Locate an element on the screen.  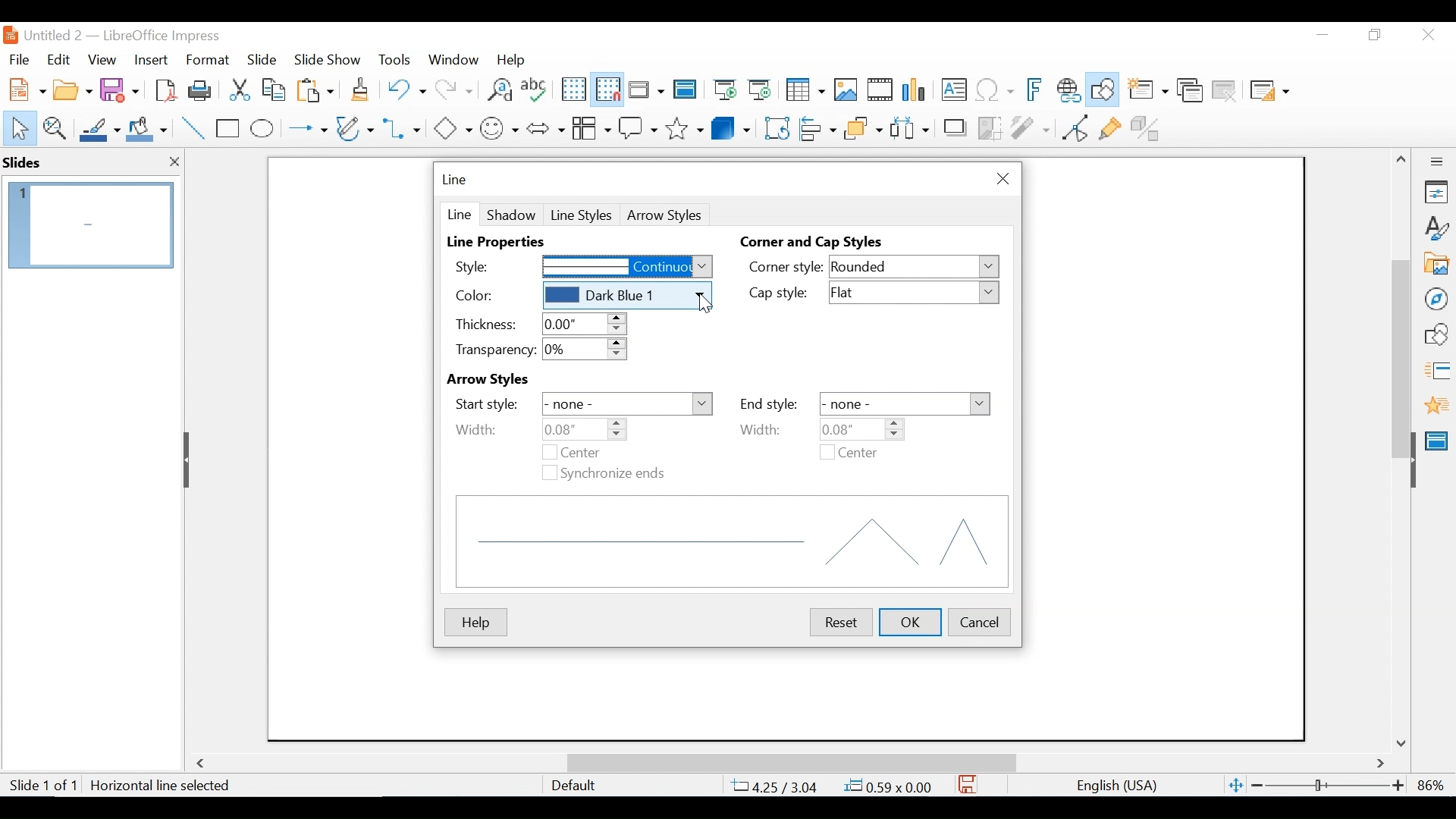
Scroll Right is located at coordinates (1381, 764).